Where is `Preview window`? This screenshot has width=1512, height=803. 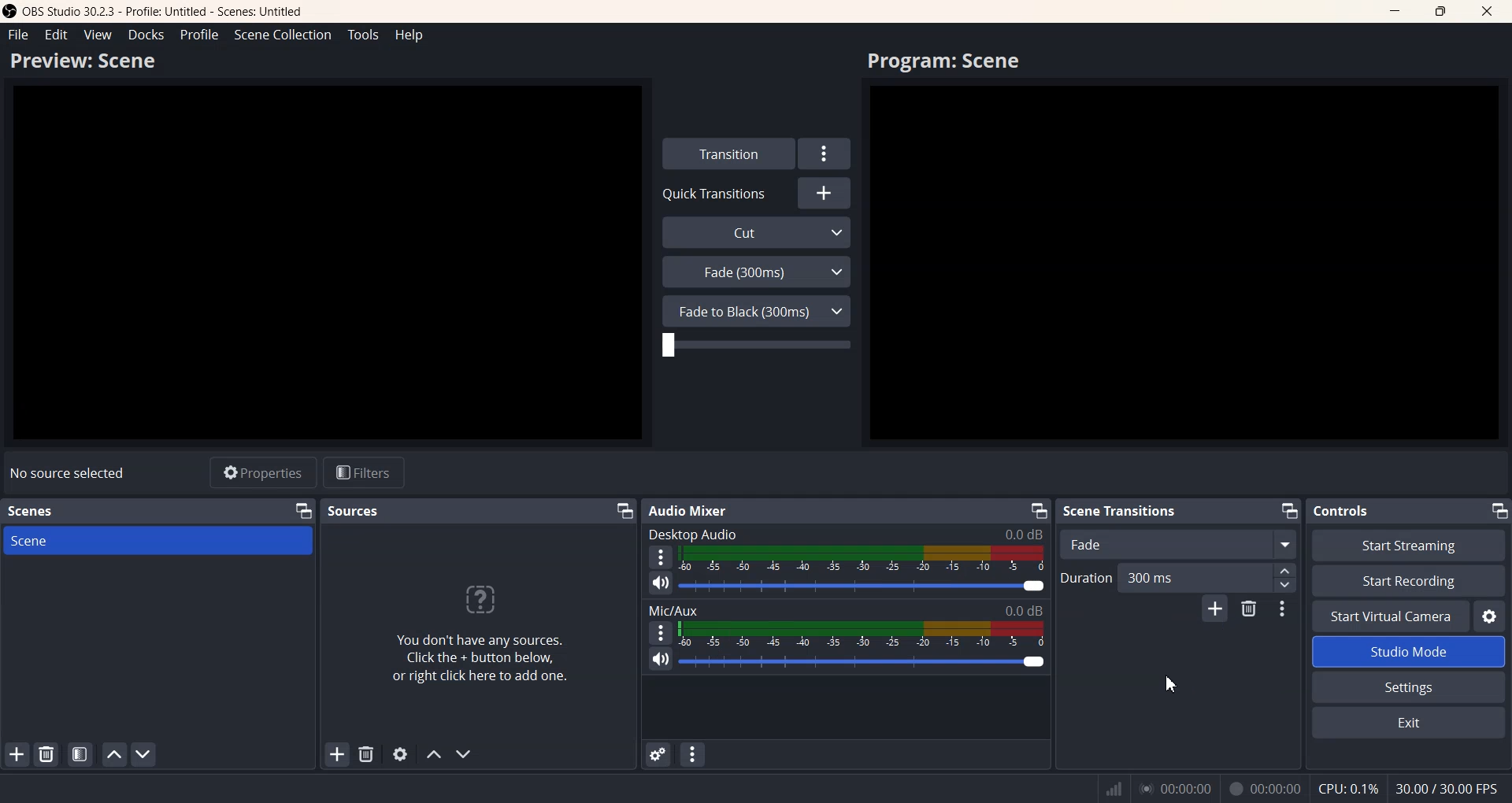
Preview window is located at coordinates (1181, 262).